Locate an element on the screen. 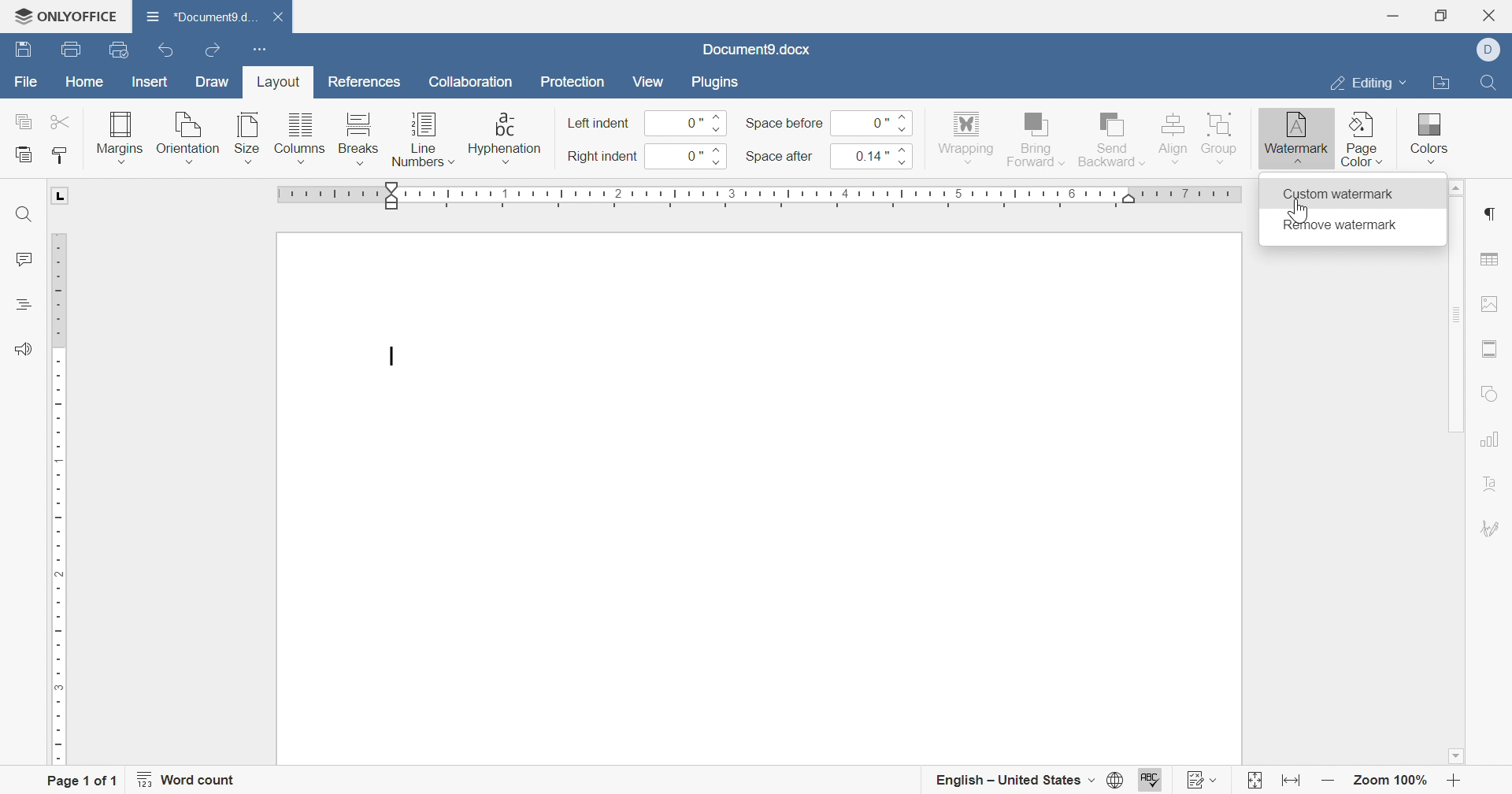 The width and height of the screenshot is (1512, 794). copy style is located at coordinates (61, 155).